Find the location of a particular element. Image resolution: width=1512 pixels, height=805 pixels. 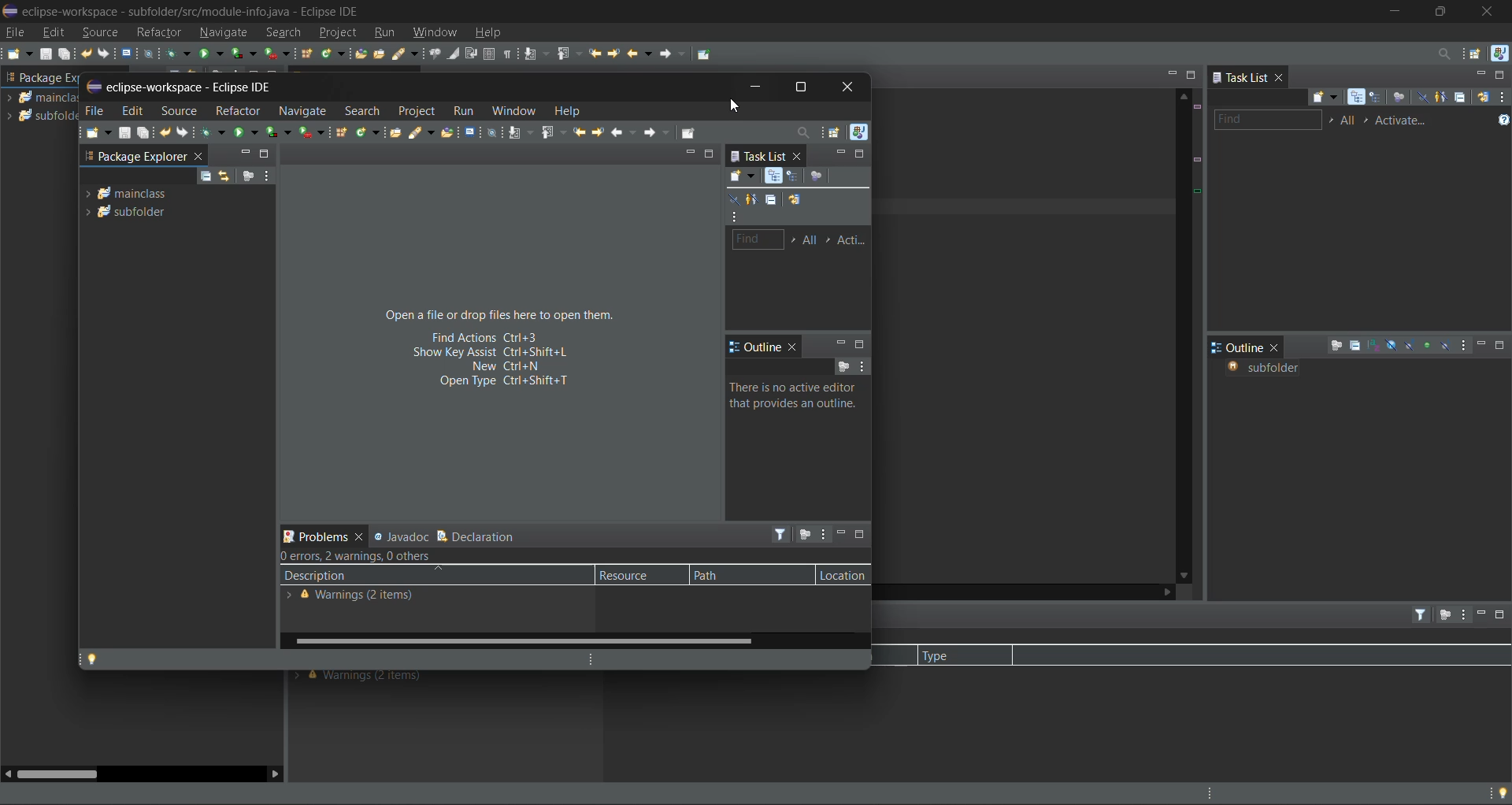

forward is located at coordinates (659, 132).